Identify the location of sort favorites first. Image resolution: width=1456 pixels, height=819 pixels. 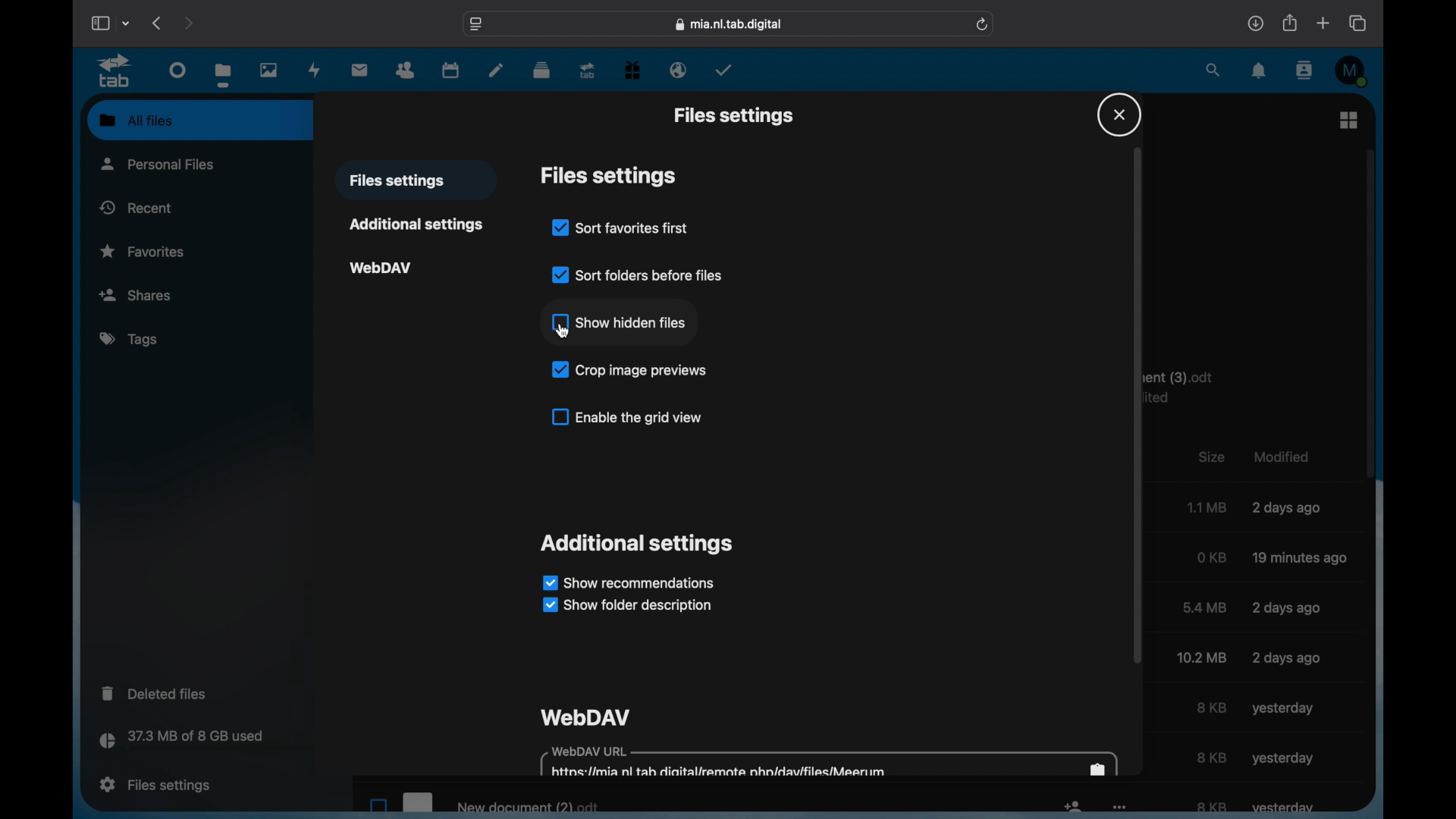
(620, 227).